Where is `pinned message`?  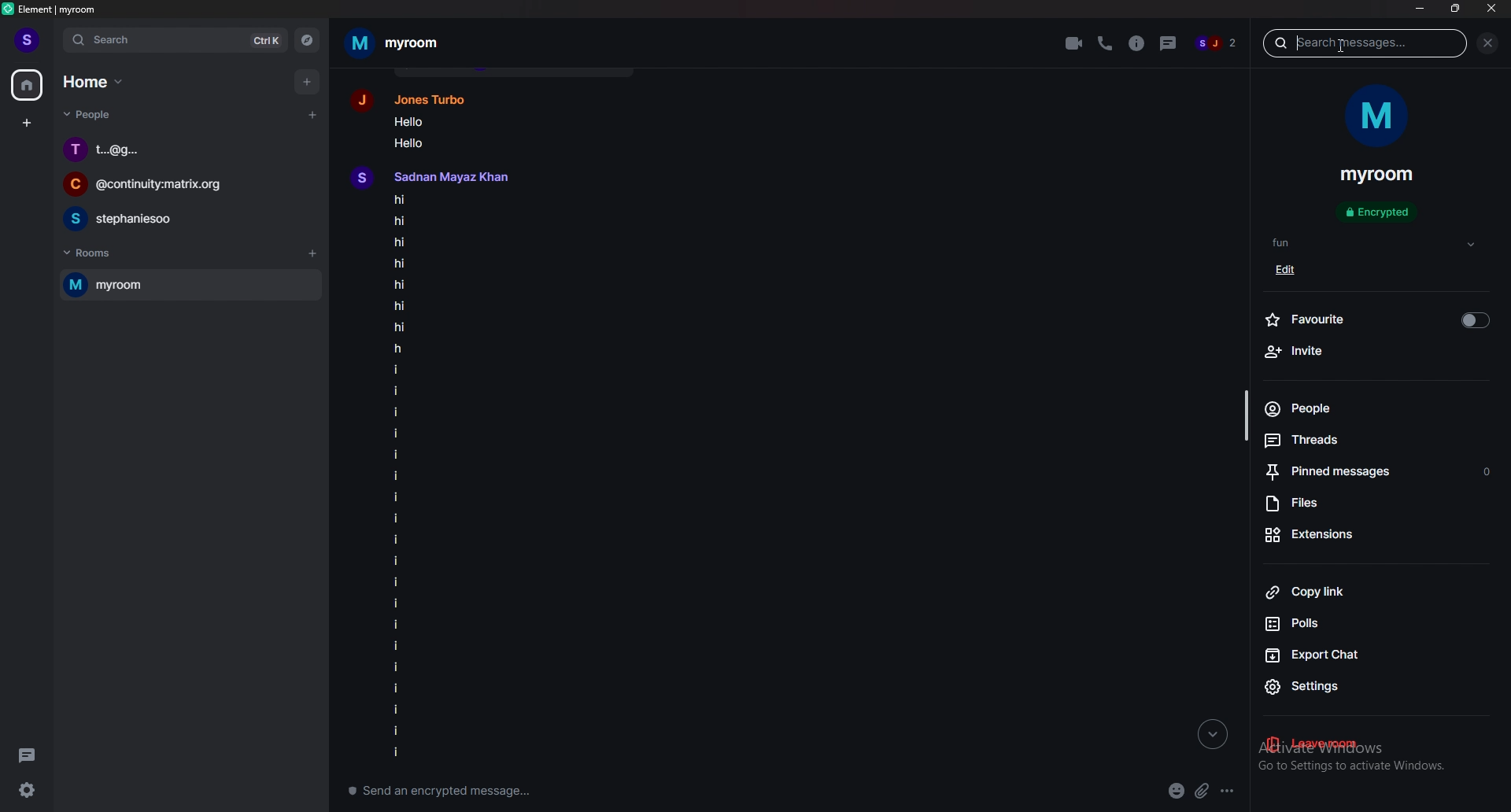
pinned message is located at coordinates (1380, 474).